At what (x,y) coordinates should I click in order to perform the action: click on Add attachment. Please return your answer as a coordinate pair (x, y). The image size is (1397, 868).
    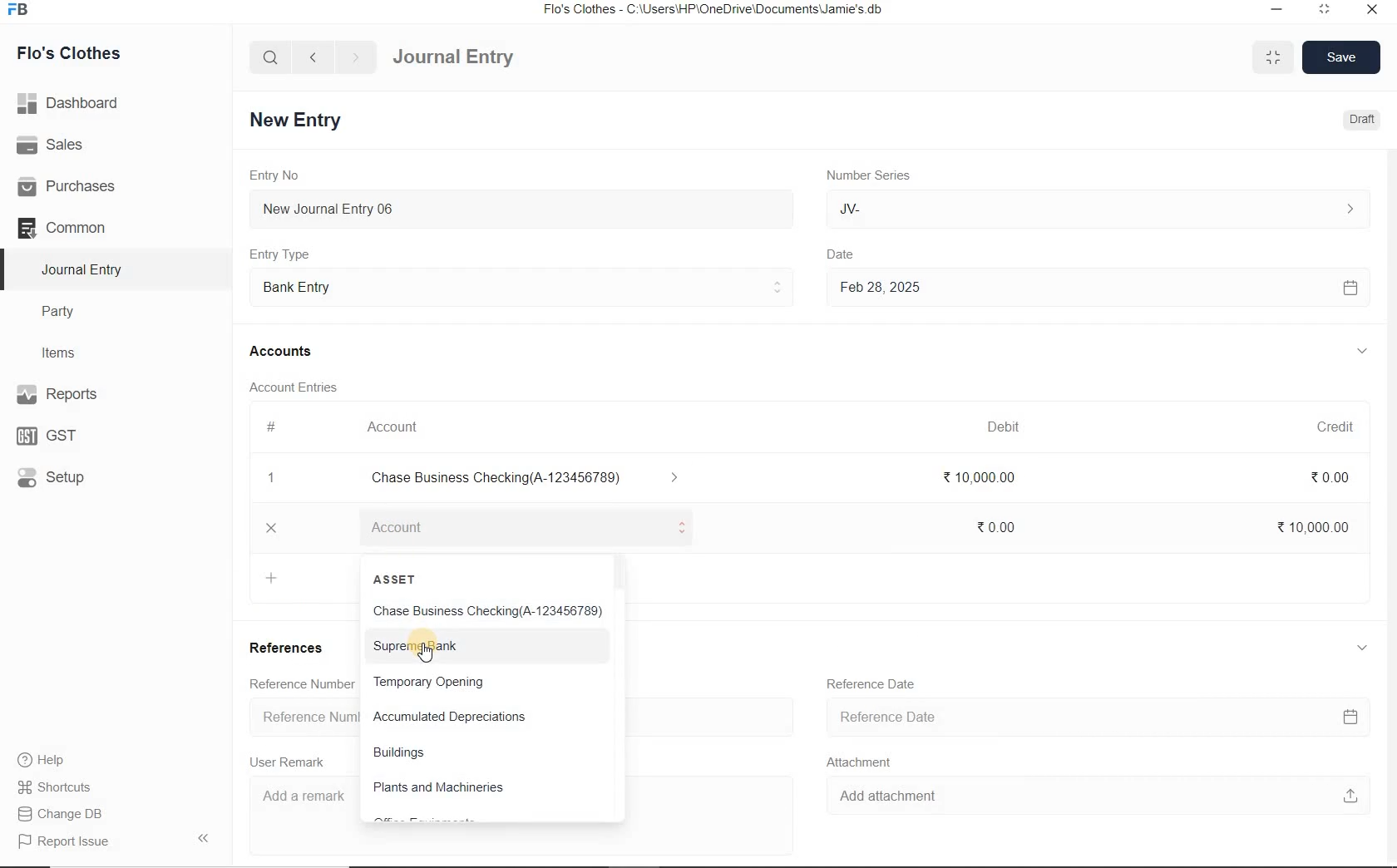
    Looking at the image, I should click on (1098, 799).